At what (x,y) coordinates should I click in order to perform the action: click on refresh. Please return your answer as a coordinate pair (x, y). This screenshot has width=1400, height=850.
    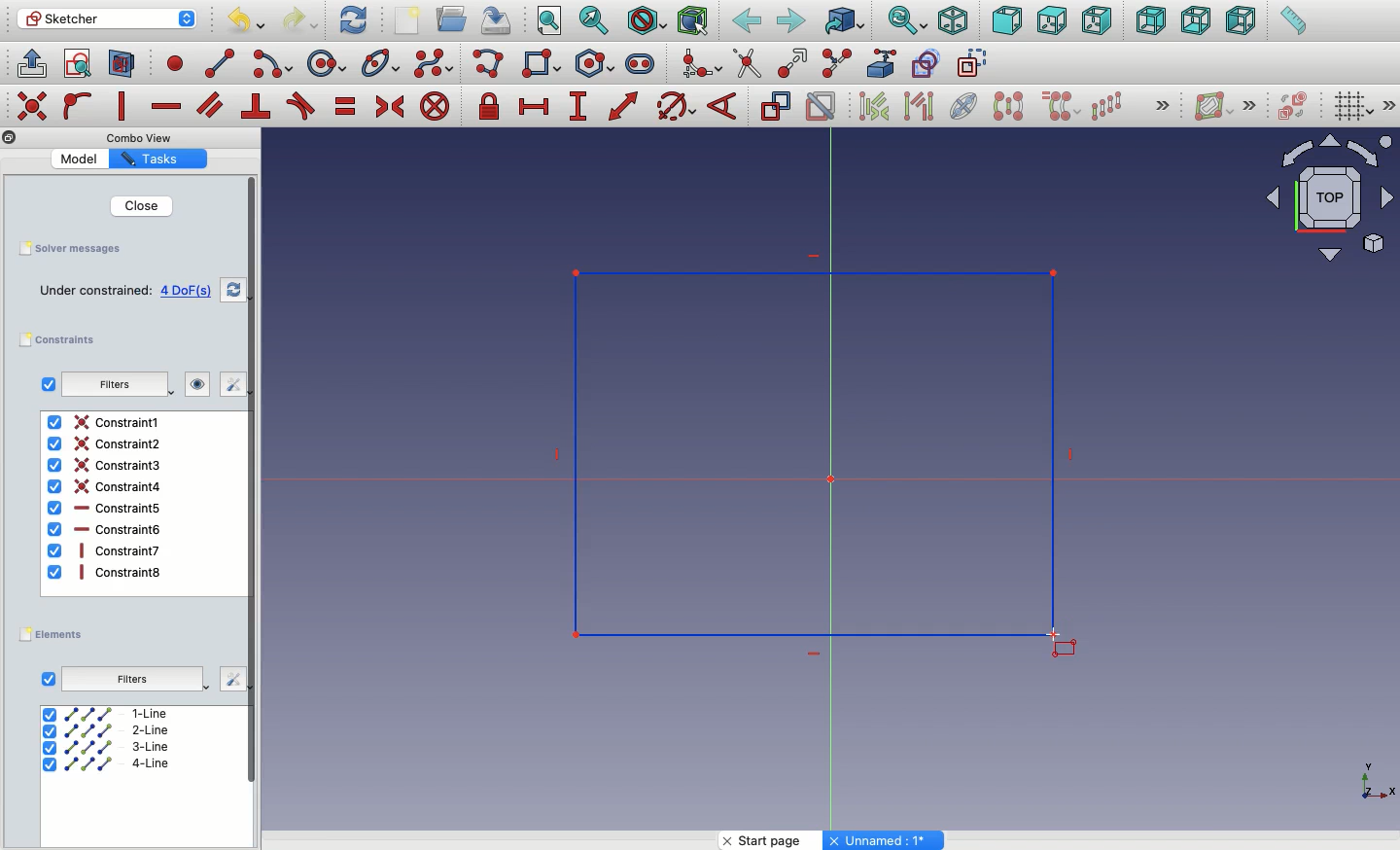
    Looking at the image, I should click on (233, 290).